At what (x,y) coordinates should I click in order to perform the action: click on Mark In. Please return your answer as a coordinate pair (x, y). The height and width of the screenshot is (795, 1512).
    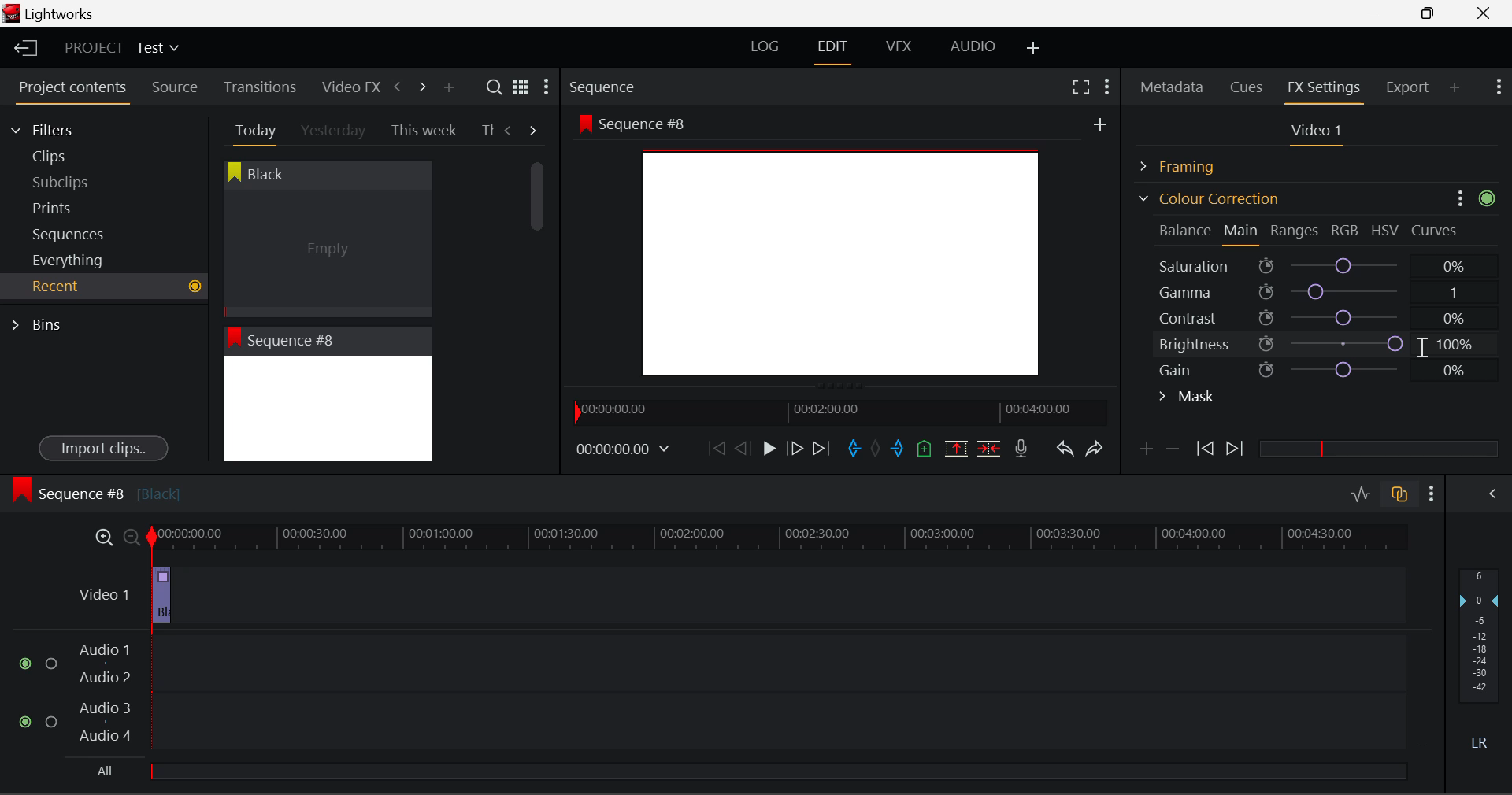
    Looking at the image, I should click on (855, 449).